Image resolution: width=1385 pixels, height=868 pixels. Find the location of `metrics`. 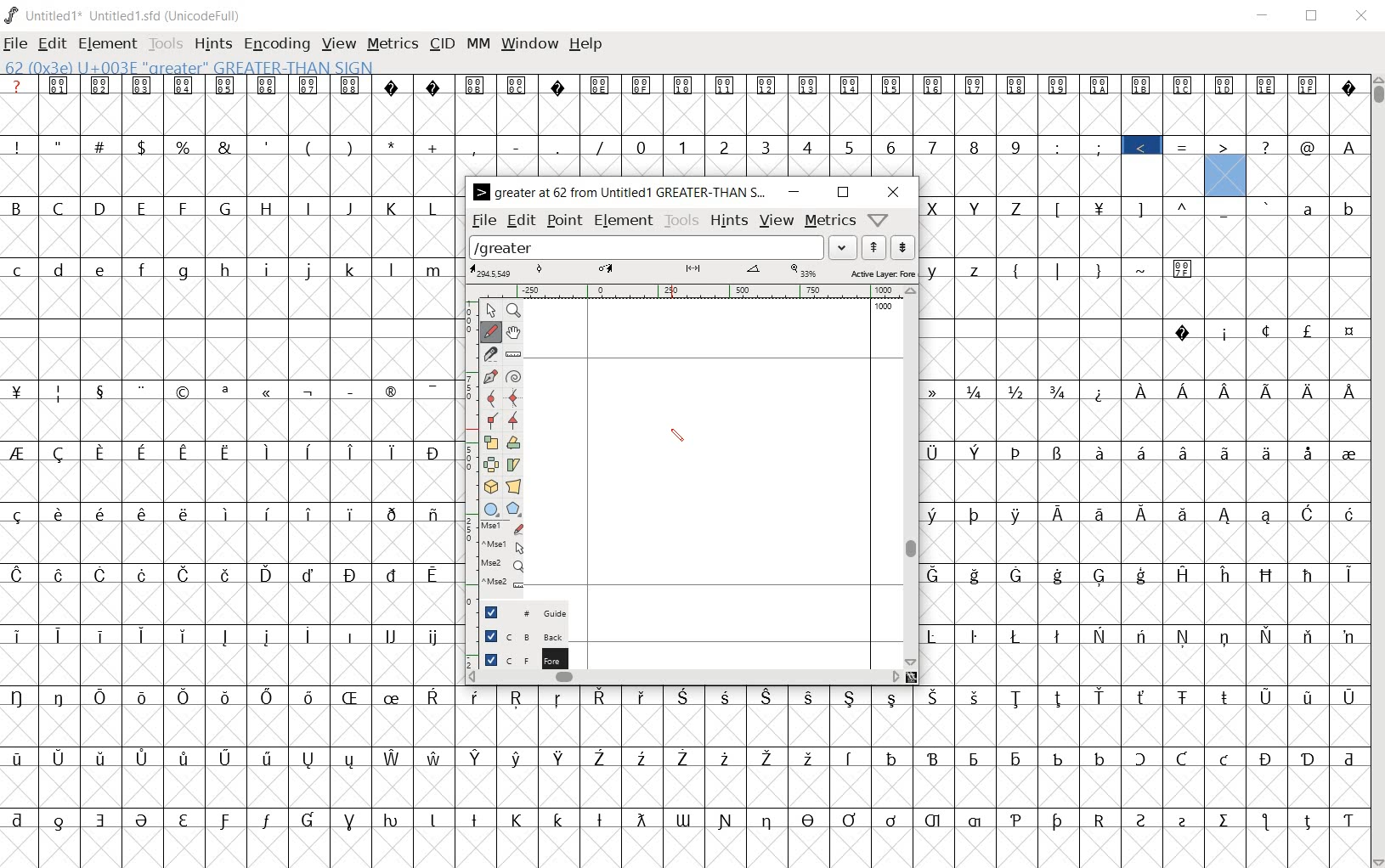

metrics is located at coordinates (394, 45).